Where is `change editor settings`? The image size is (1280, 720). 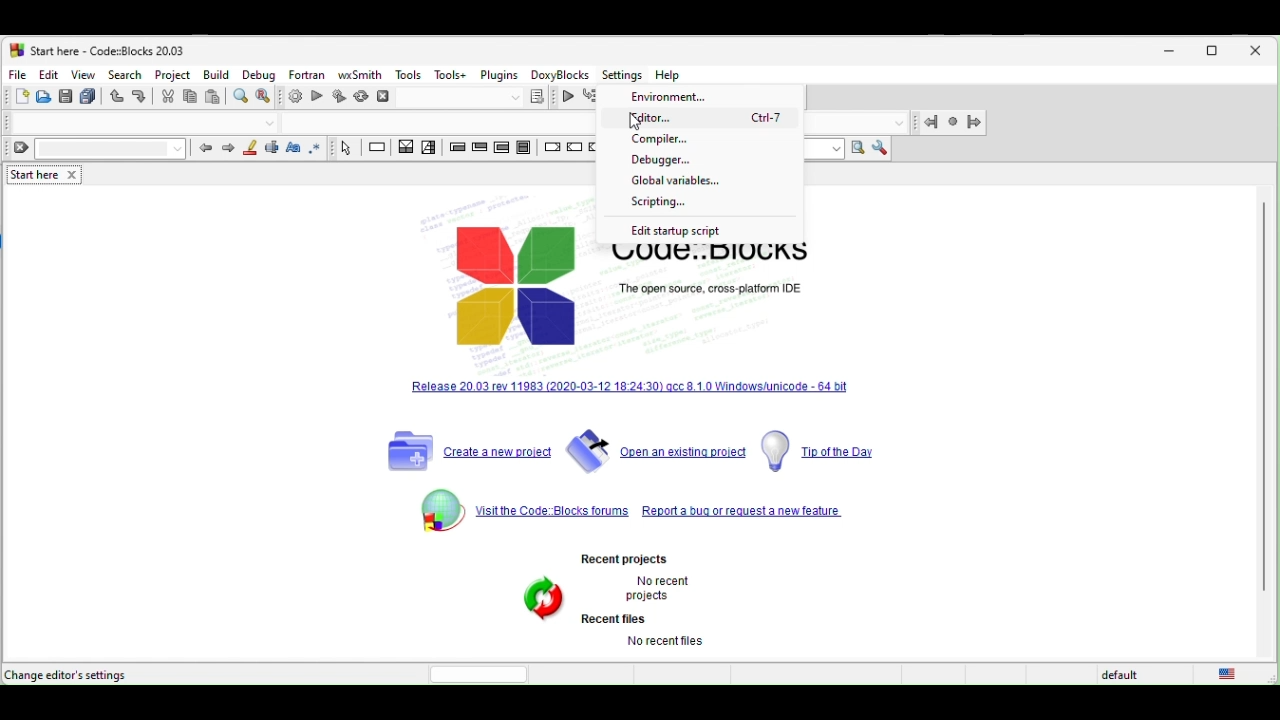
change editor settings is located at coordinates (74, 674).